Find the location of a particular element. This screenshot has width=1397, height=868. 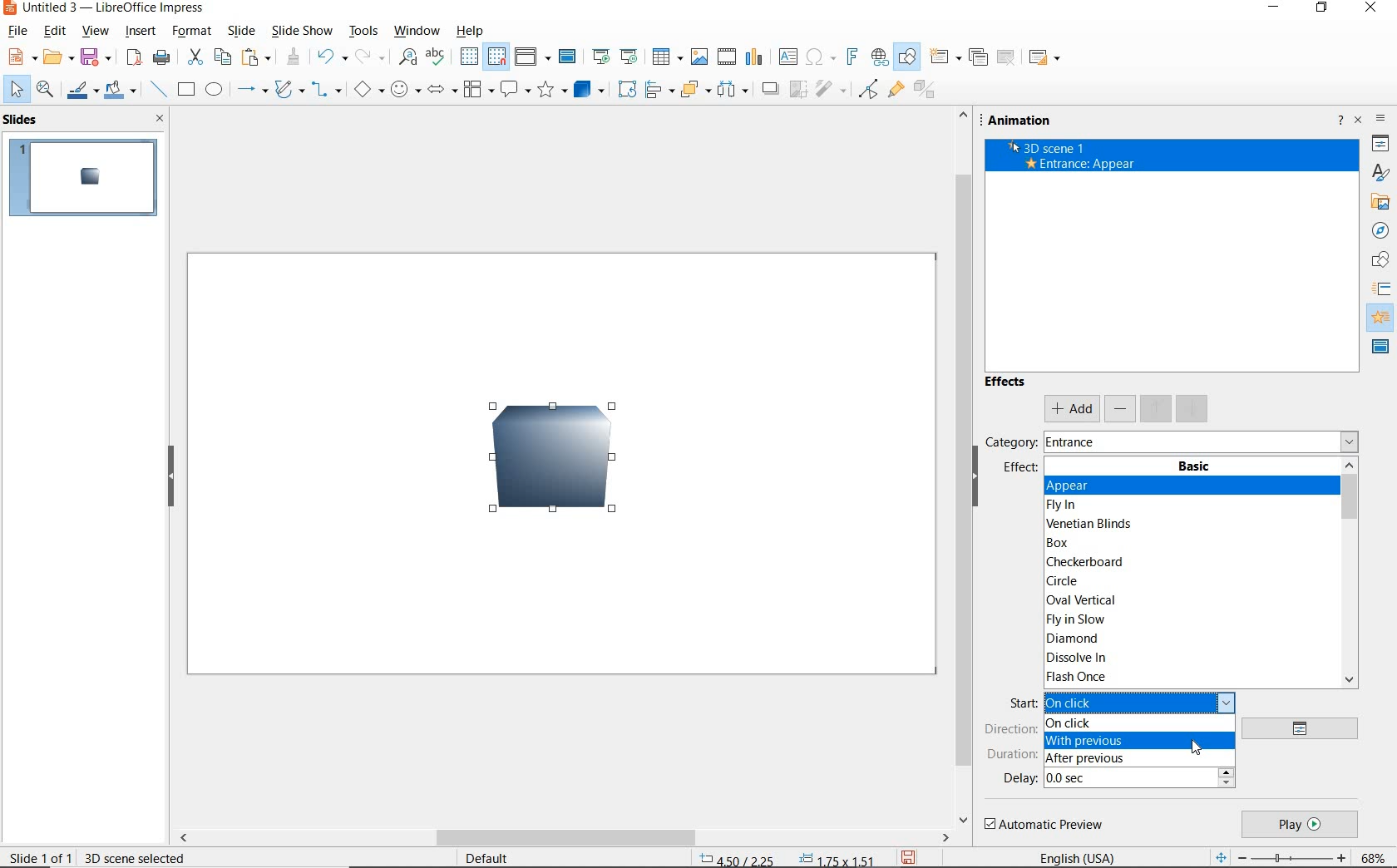

print is located at coordinates (160, 57).